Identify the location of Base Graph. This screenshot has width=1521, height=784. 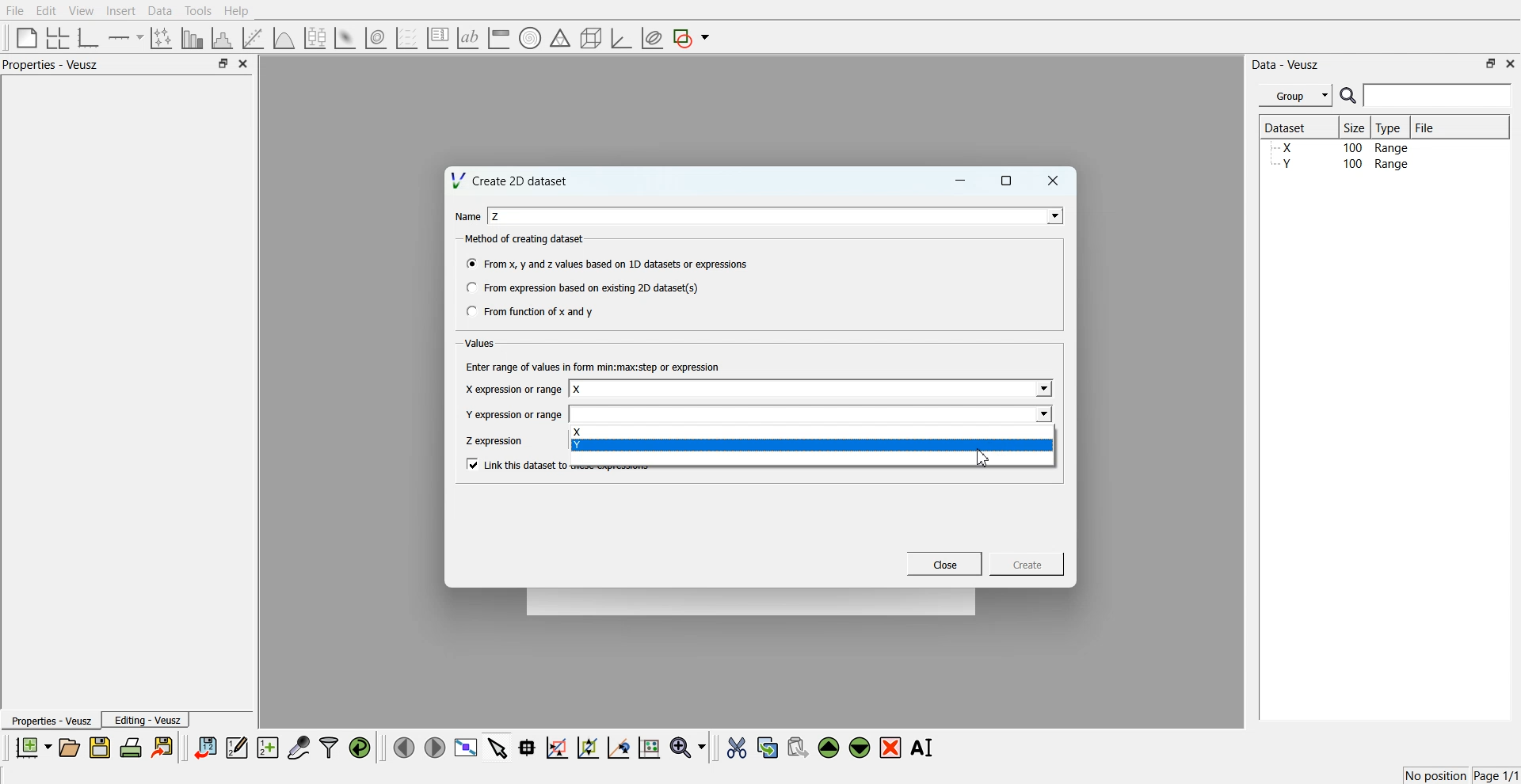
(89, 38).